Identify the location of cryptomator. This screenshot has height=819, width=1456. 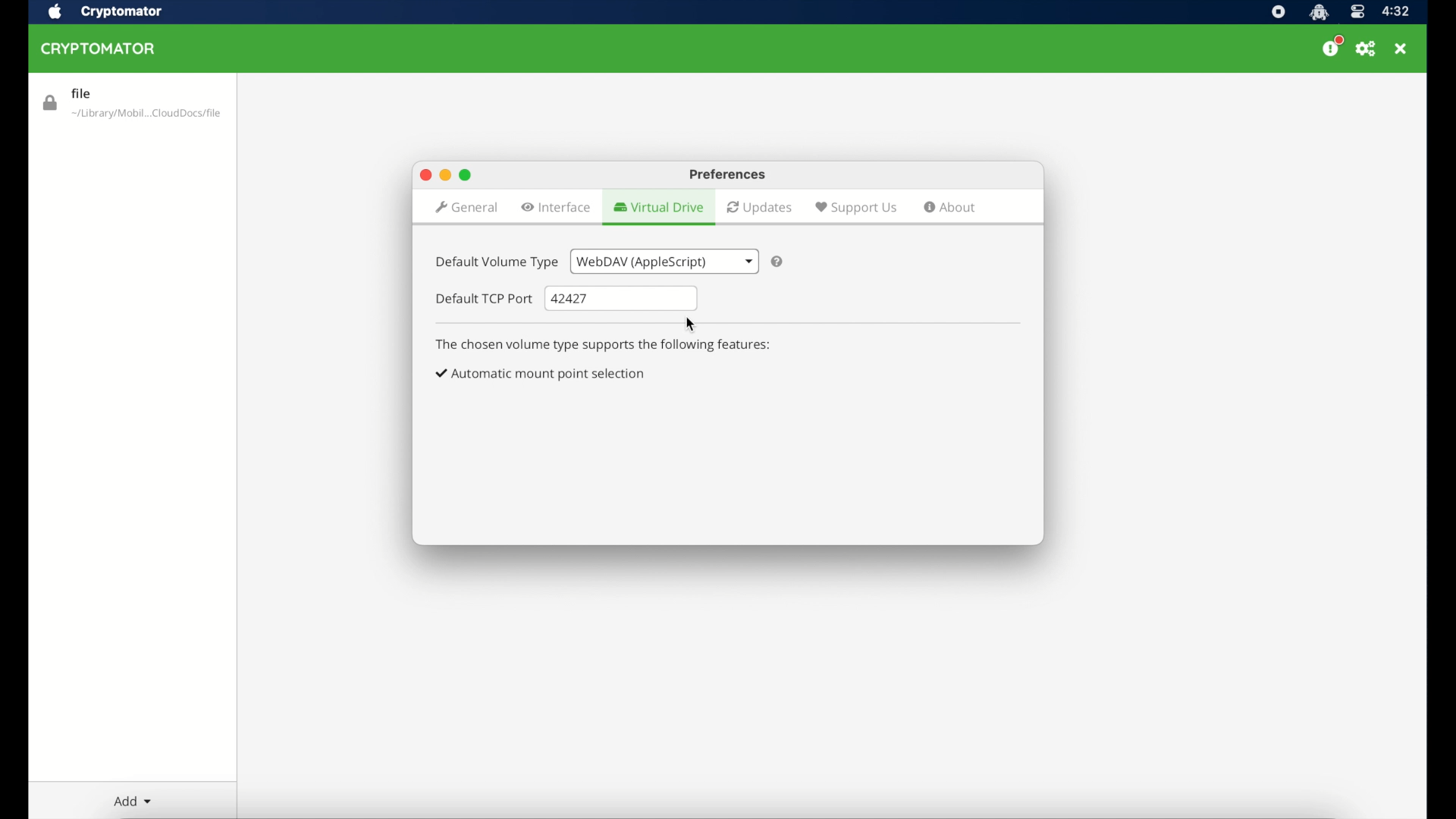
(1318, 12).